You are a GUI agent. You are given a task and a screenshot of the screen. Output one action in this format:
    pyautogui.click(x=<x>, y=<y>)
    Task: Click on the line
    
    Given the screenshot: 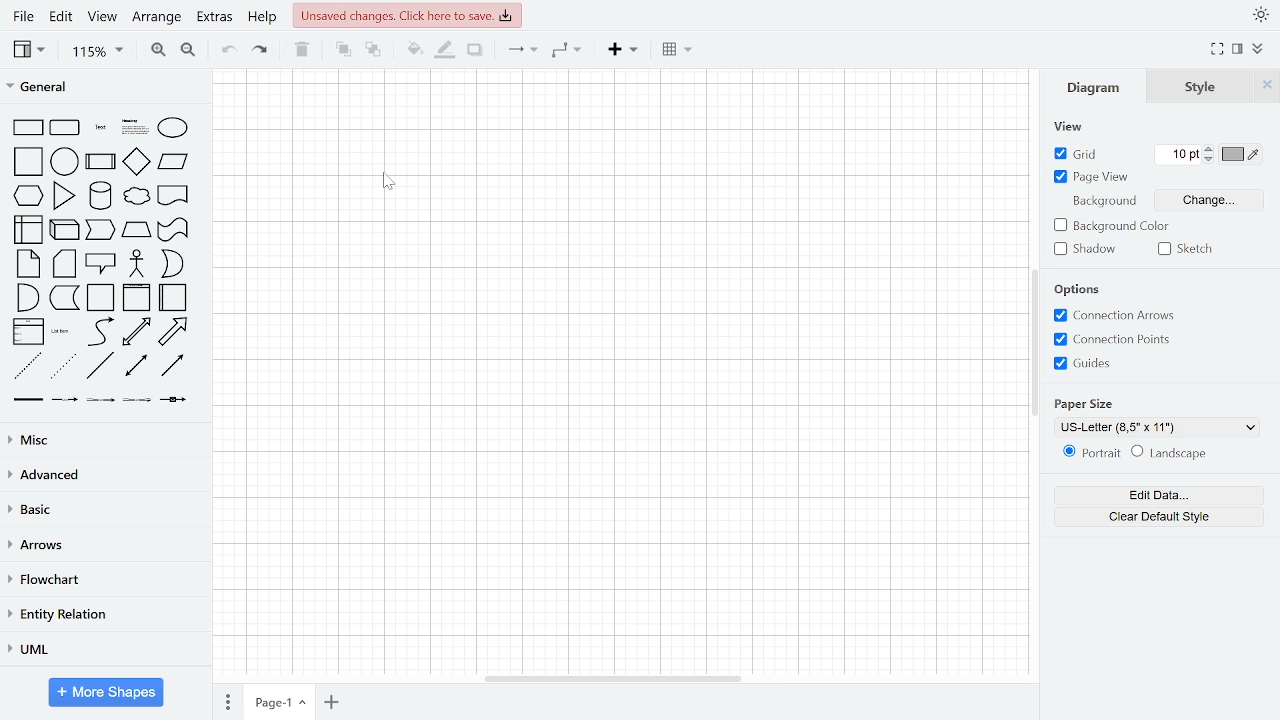 What is the action you would take?
    pyautogui.click(x=102, y=367)
    